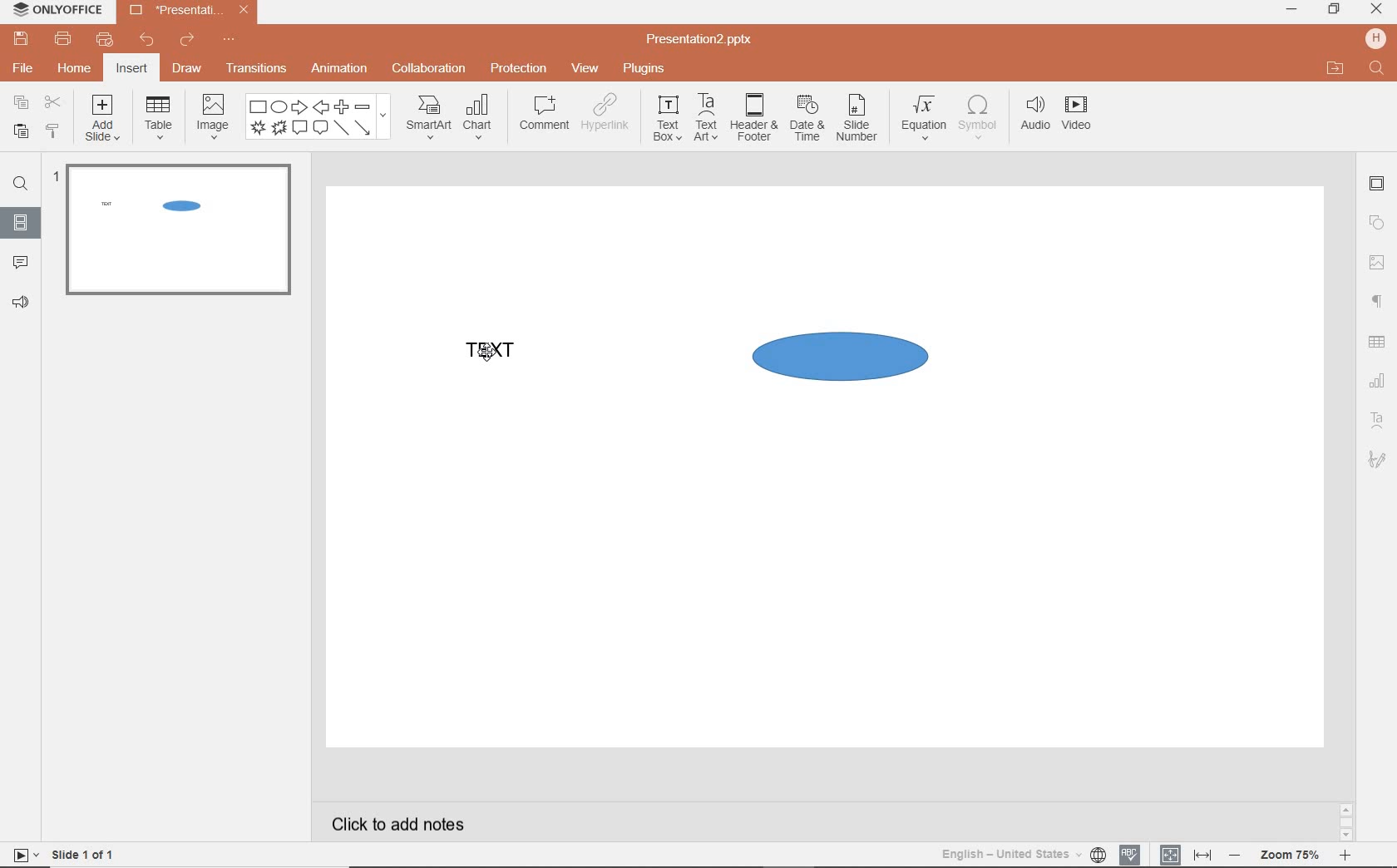  Describe the element at coordinates (53, 104) in the screenshot. I see `cut` at that location.